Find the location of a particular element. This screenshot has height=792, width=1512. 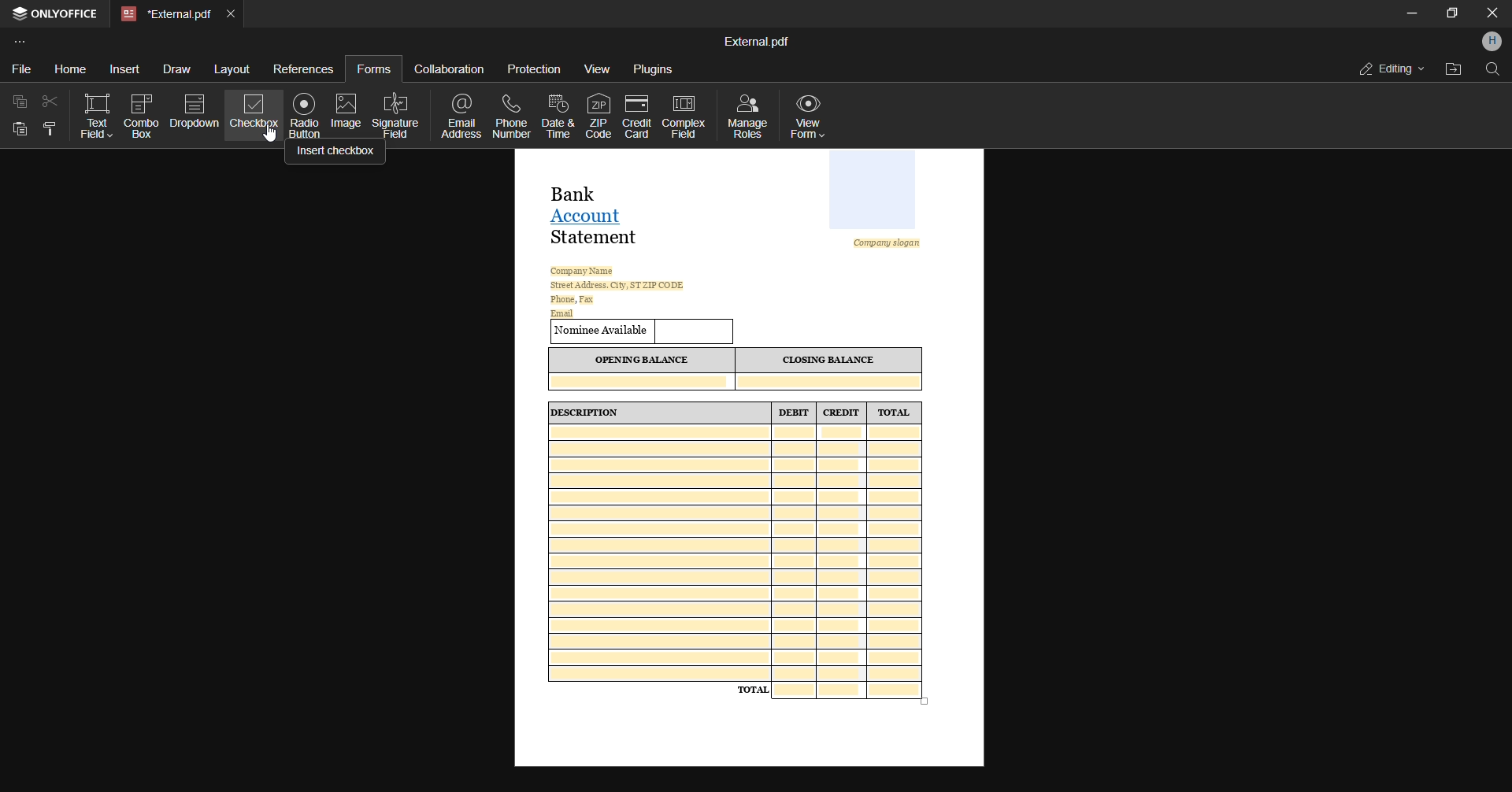

plugins is located at coordinates (653, 70).